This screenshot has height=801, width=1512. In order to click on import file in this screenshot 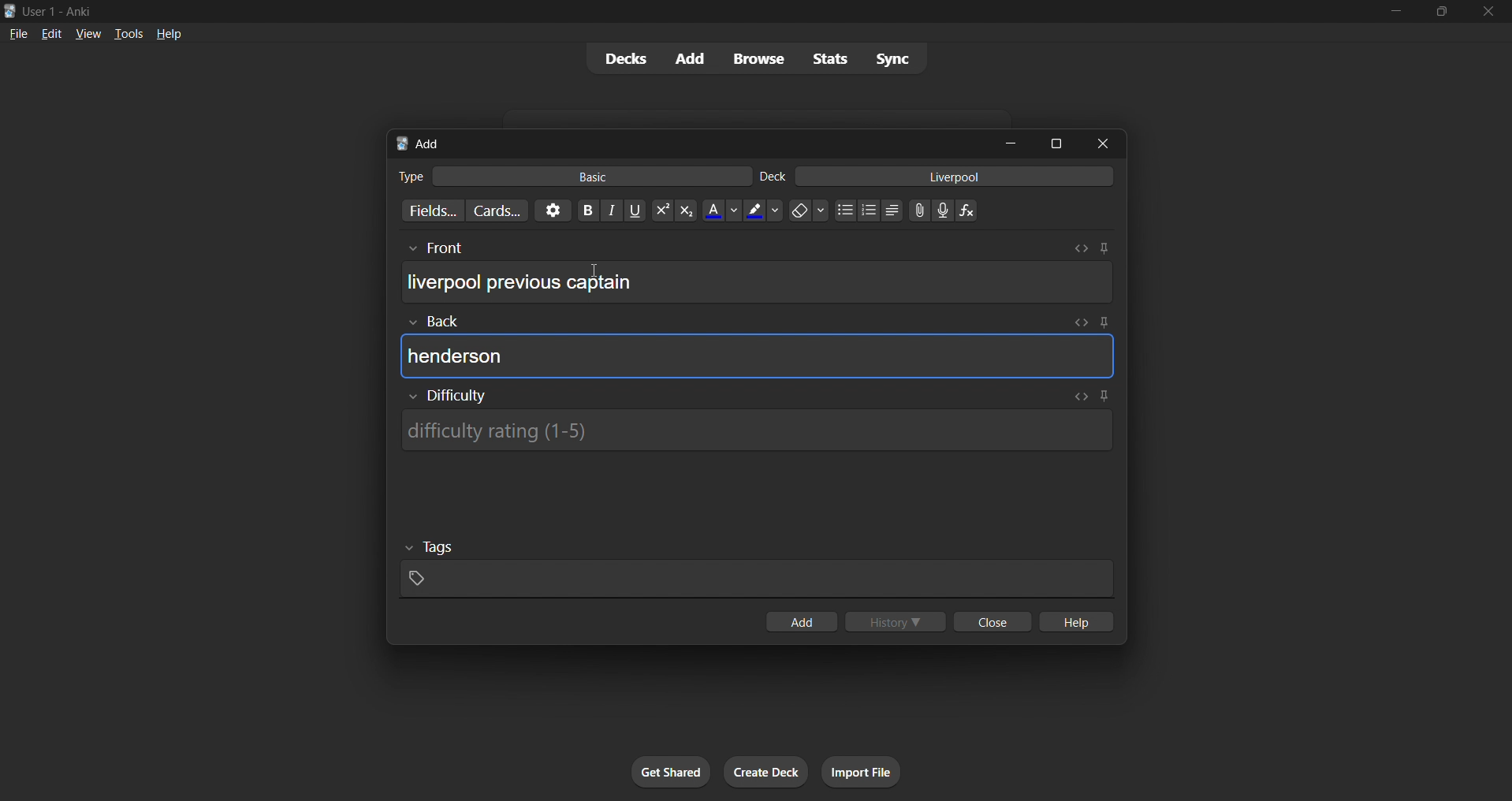, I will do `click(867, 770)`.